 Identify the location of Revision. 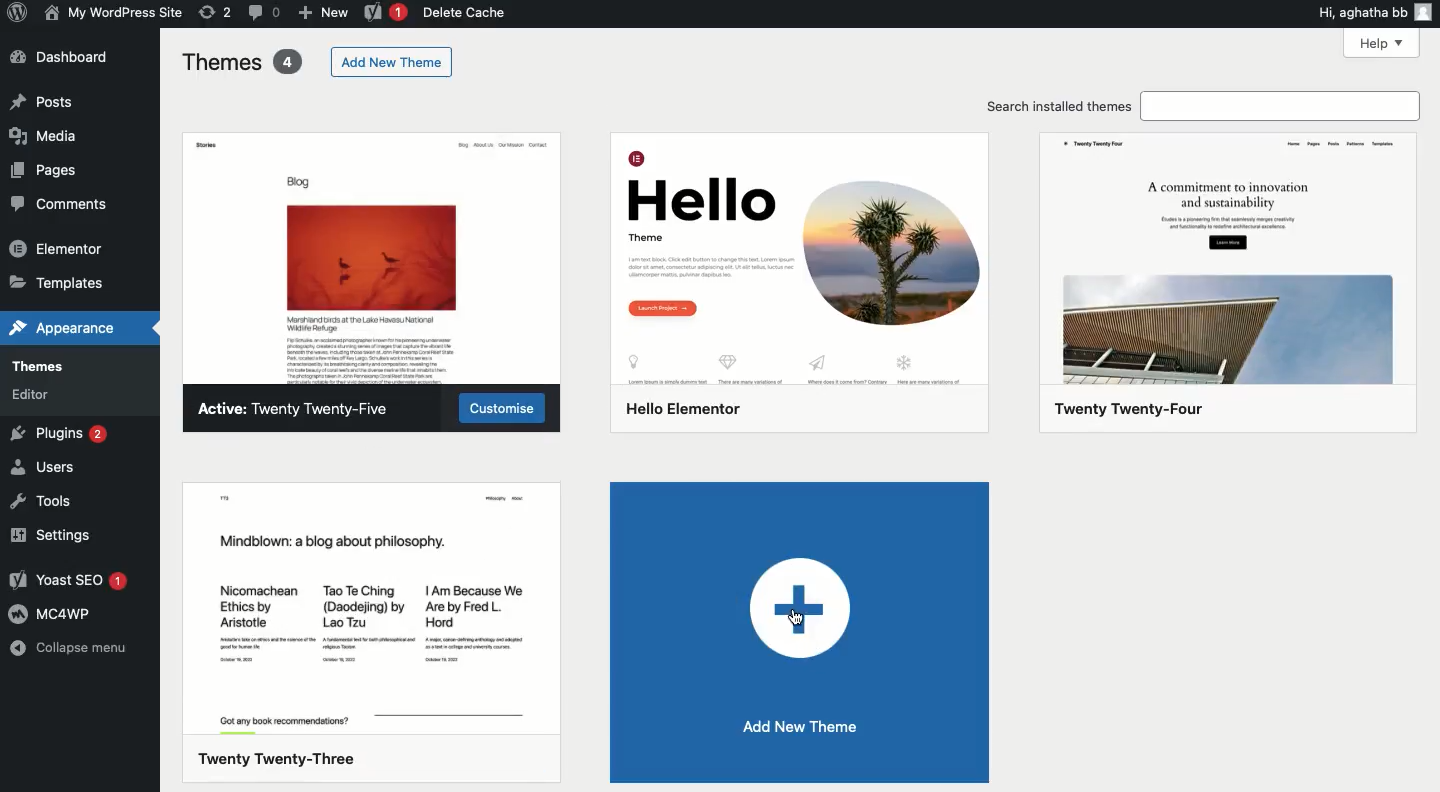
(217, 11).